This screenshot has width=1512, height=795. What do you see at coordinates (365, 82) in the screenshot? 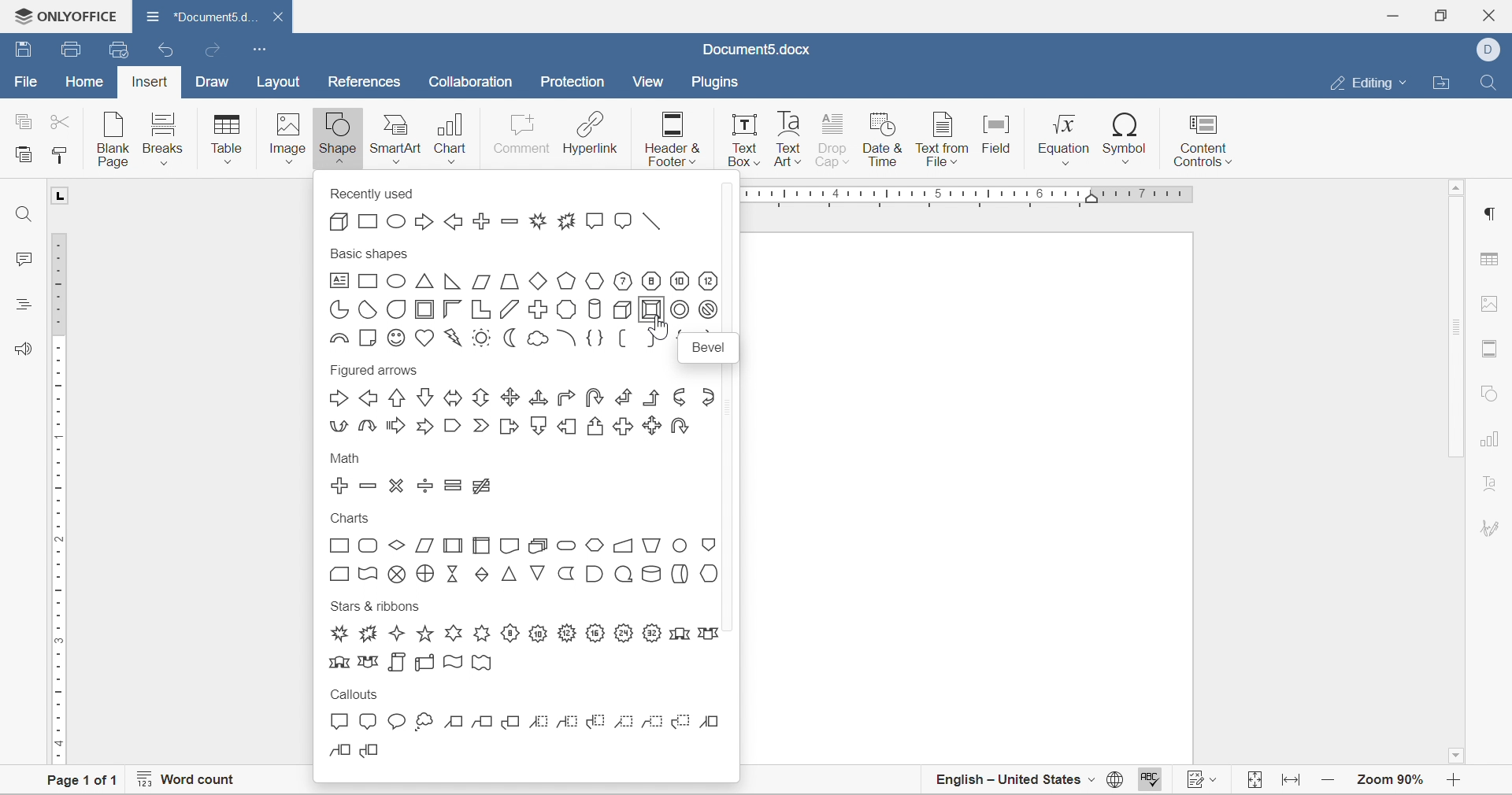
I see `references` at bounding box center [365, 82].